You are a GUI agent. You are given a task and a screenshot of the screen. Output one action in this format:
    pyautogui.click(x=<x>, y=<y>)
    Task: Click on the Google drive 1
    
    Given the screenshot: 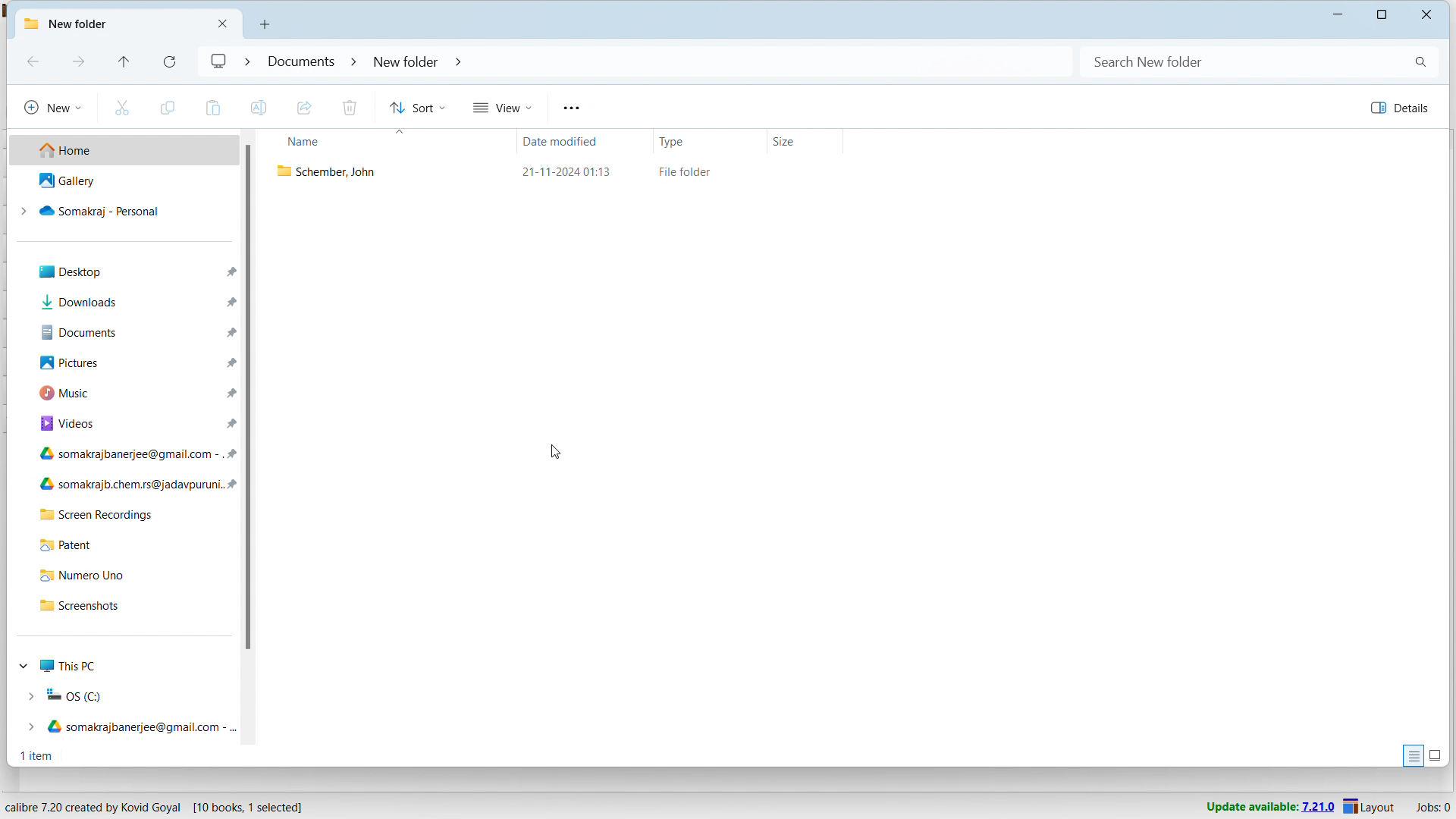 What is the action you would take?
    pyautogui.click(x=133, y=726)
    